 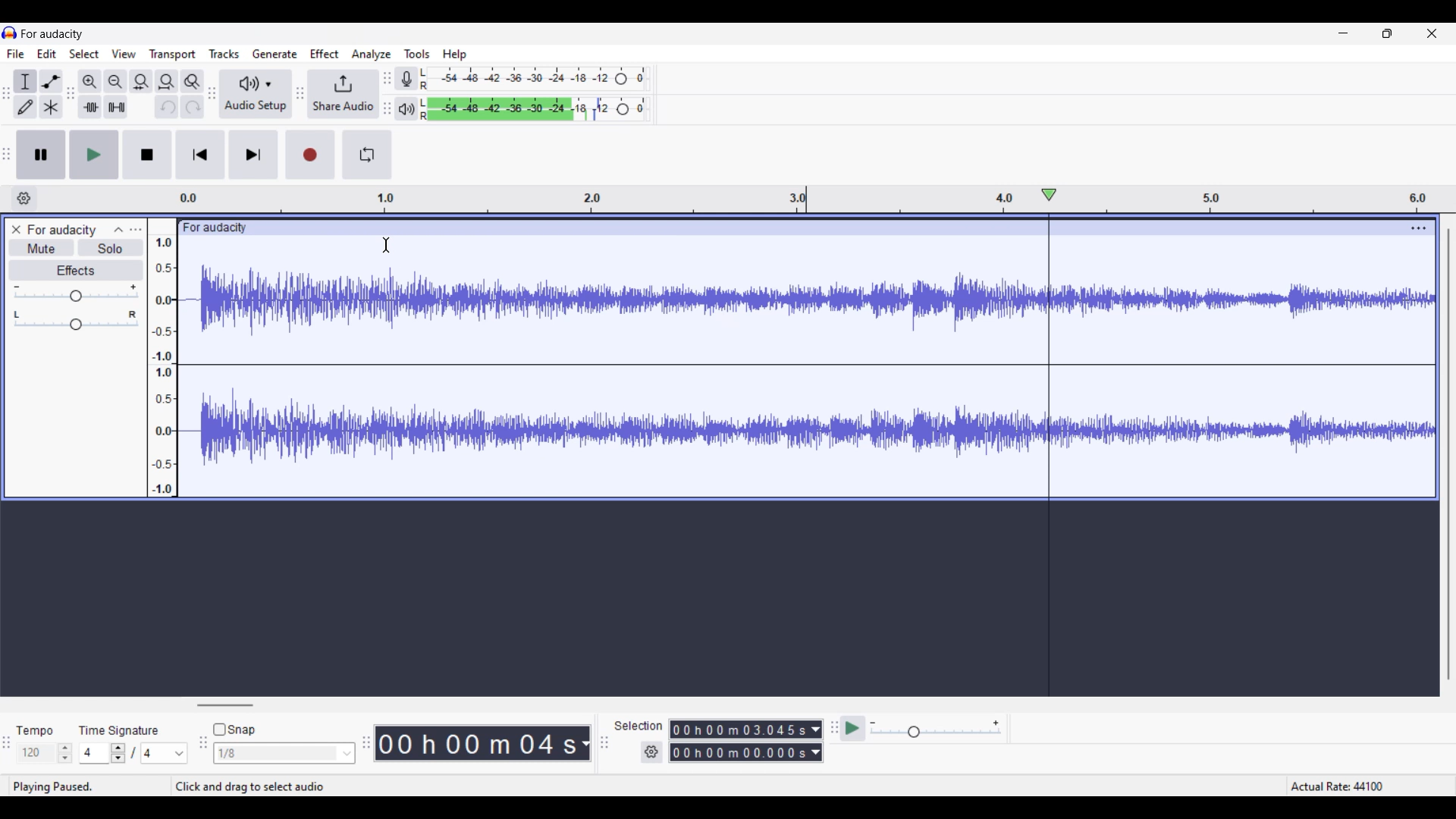 What do you see at coordinates (26, 107) in the screenshot?
I see `Draw tool` at bounding box center [26, 107].